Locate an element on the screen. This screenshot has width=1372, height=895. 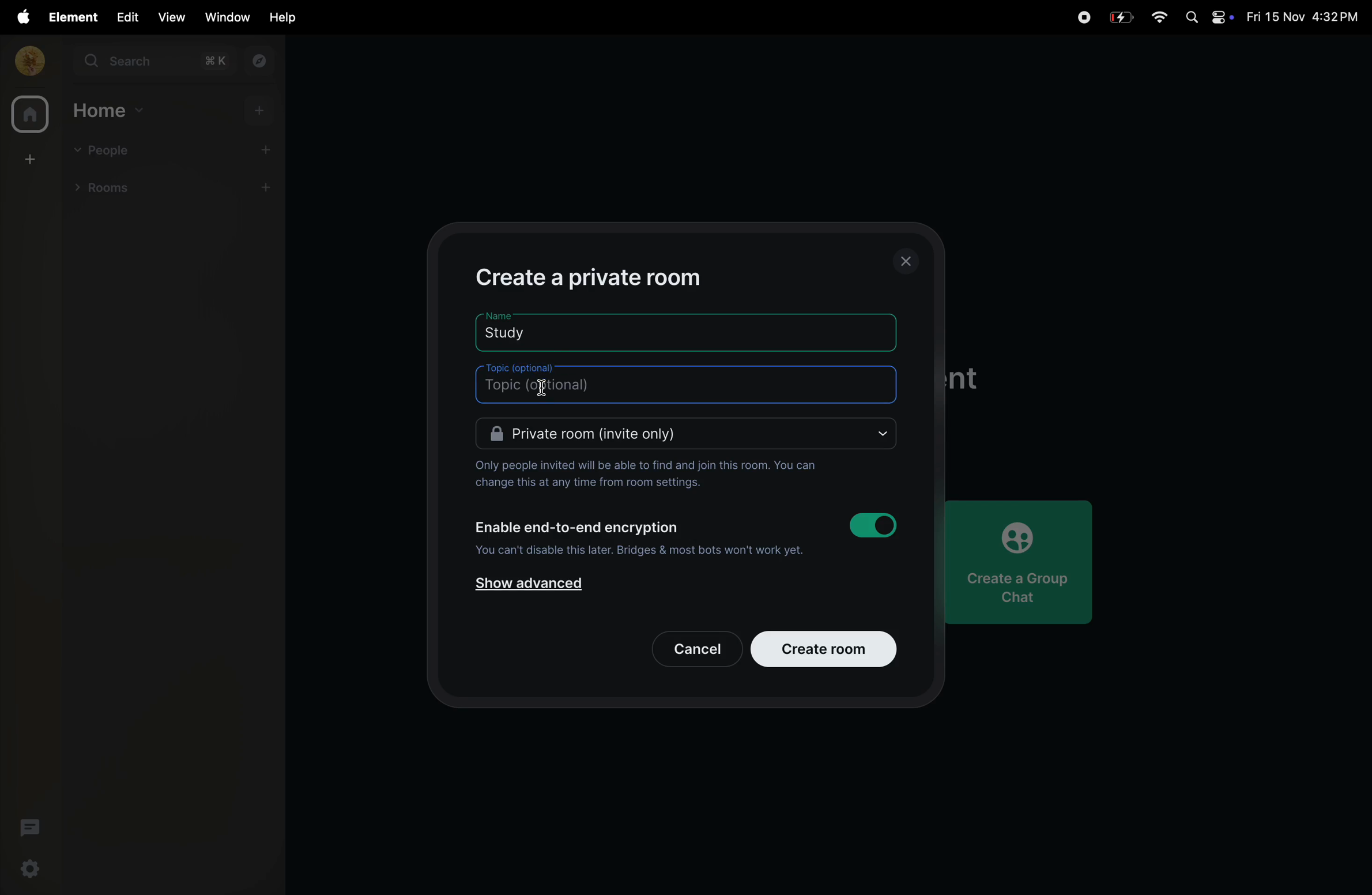
date and time is located at coordinates (1302, 17).